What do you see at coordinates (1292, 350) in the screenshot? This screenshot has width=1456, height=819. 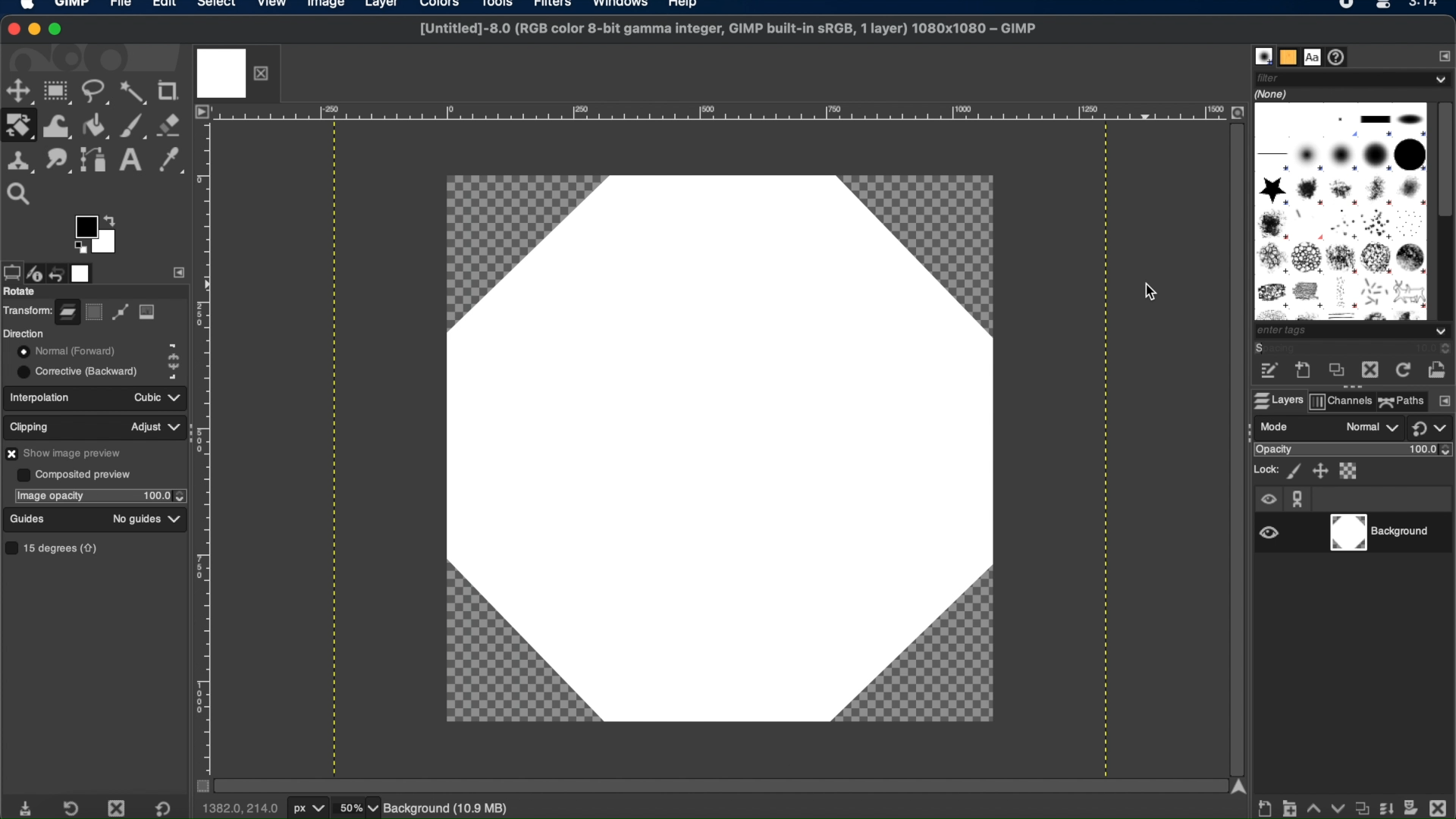 I see `spacing` at bounding box center [1292, 350].